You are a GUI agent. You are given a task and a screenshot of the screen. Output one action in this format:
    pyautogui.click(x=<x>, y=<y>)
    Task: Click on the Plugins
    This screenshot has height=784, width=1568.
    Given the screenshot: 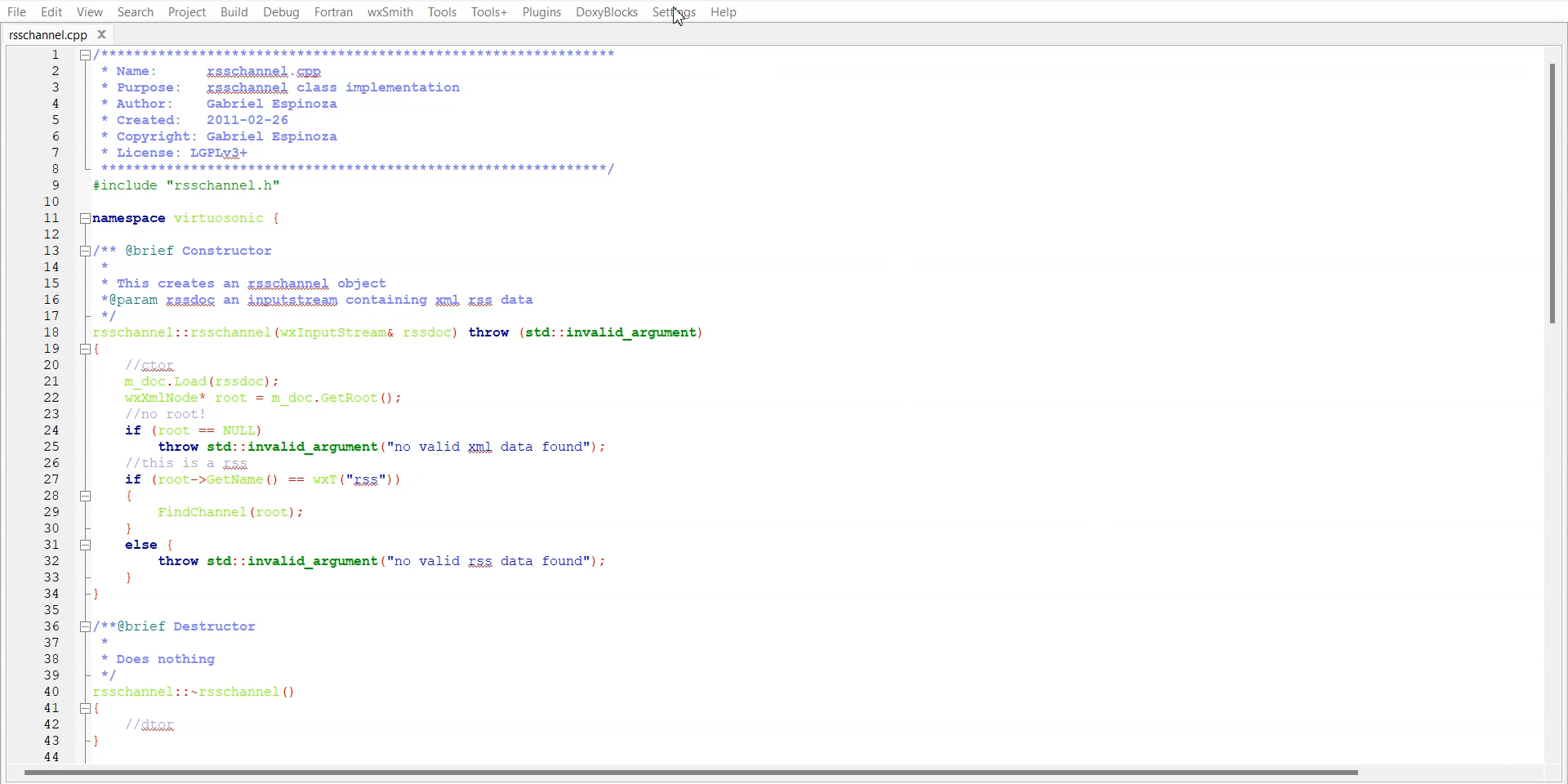 What is the action you would take?
    pyautogui.click(x=541, y=11)
    